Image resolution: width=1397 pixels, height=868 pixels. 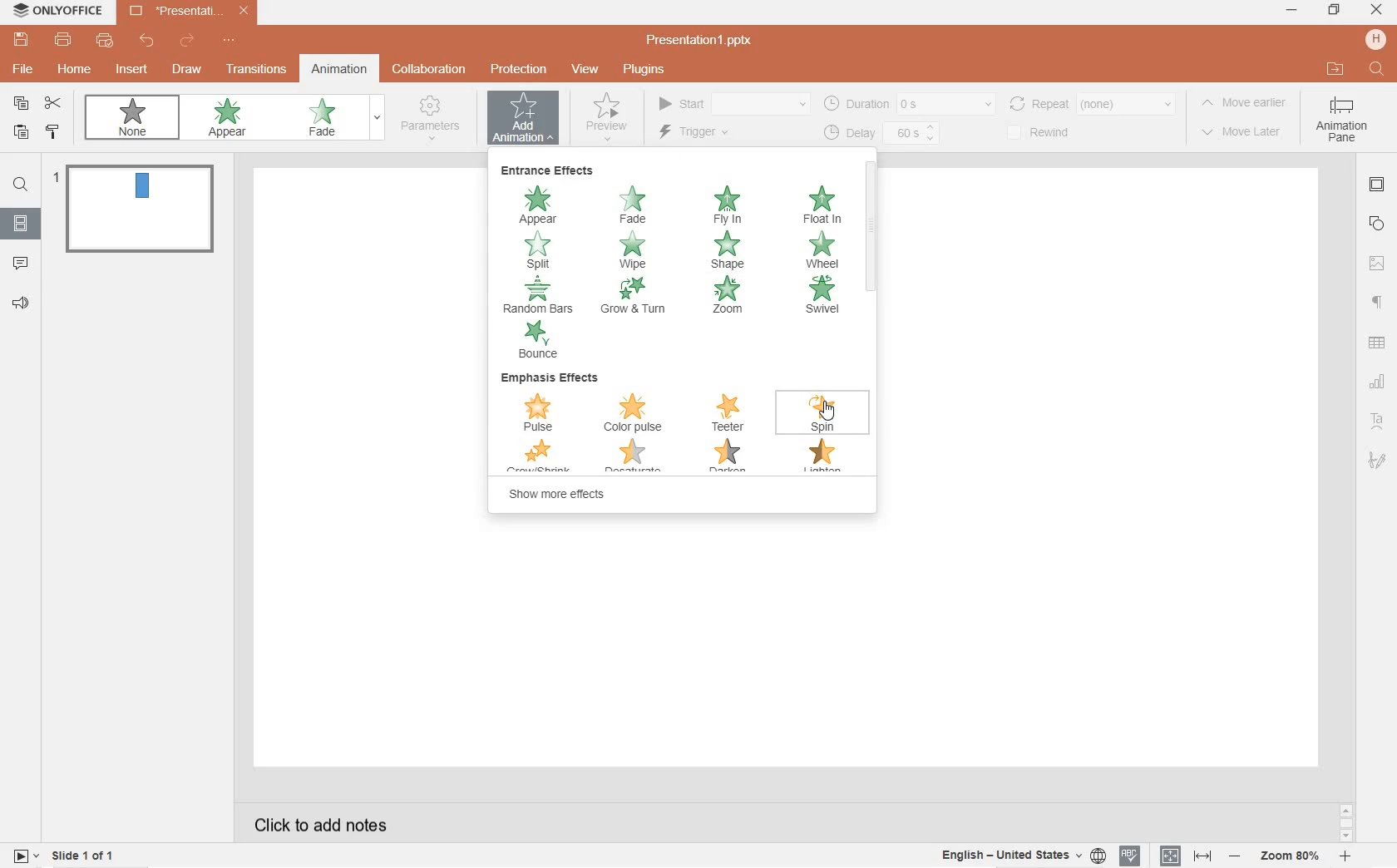 What do you see at coordinates (314, 823) in the screenshot?
I see `click to add notes` at bounding box center [314, 823].